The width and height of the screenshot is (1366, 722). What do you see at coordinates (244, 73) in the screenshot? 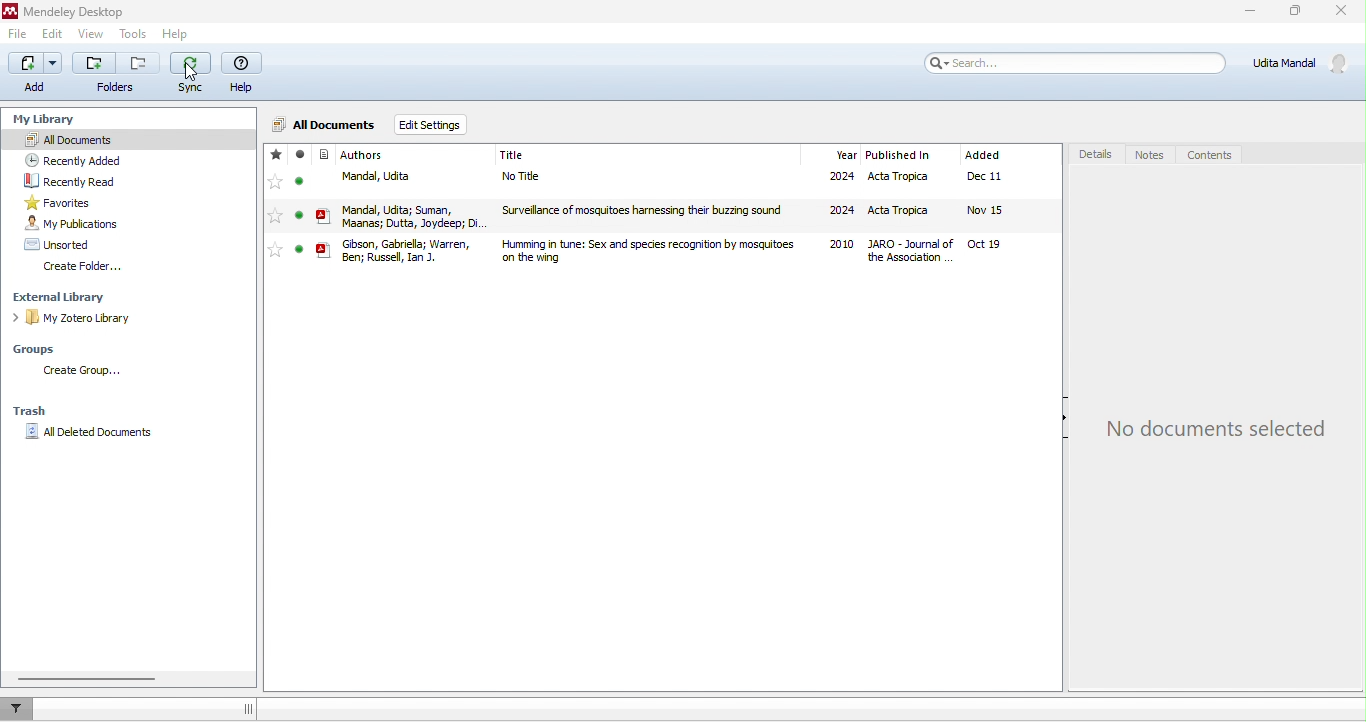
I see `help` at bounding box center [244, 73].